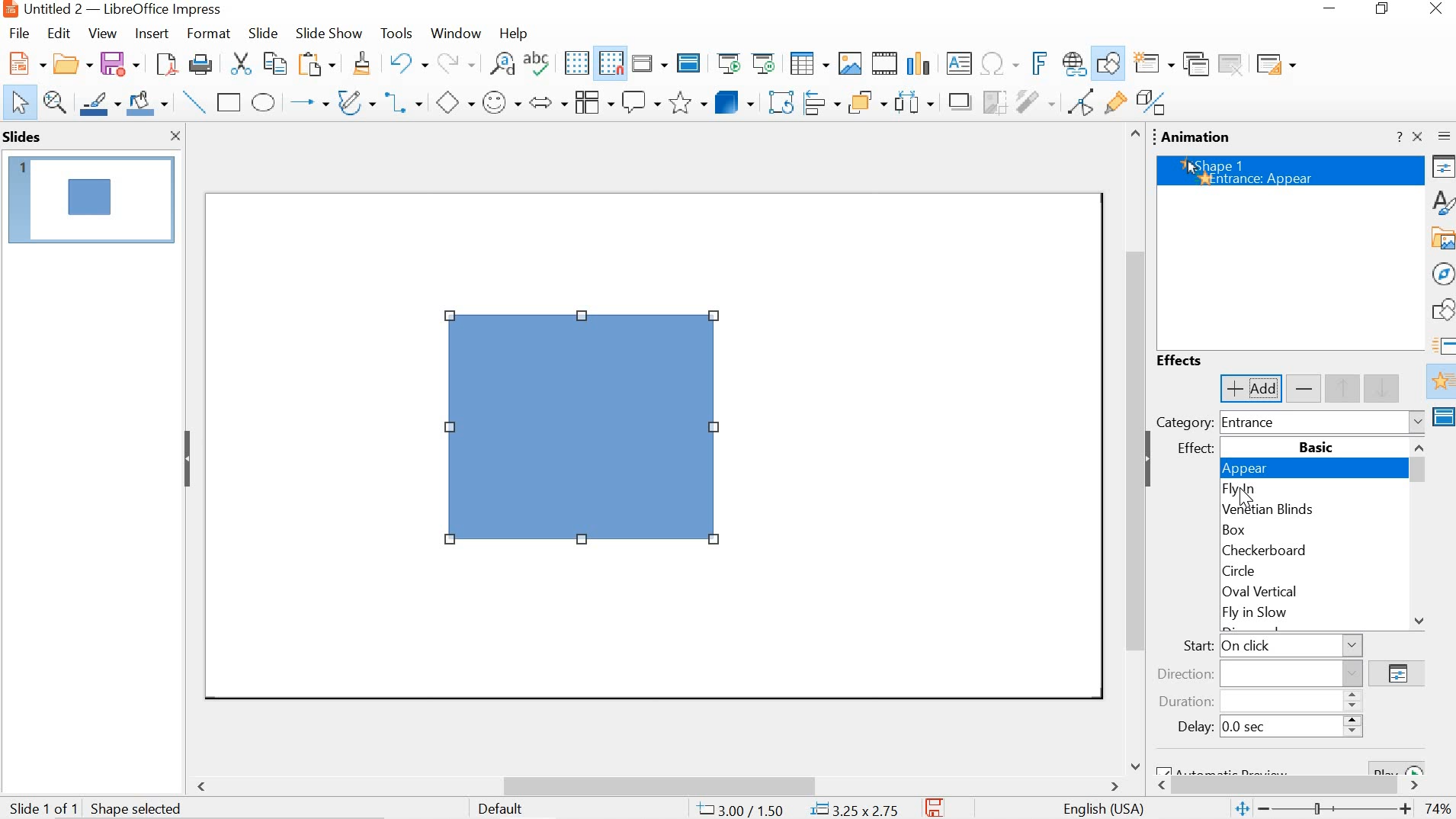 Image resolution: width=1456 pixels, height=819 pixels. Describe the element at coordinates (1323, 422) in the screenshot. I see `entrance` at that location.